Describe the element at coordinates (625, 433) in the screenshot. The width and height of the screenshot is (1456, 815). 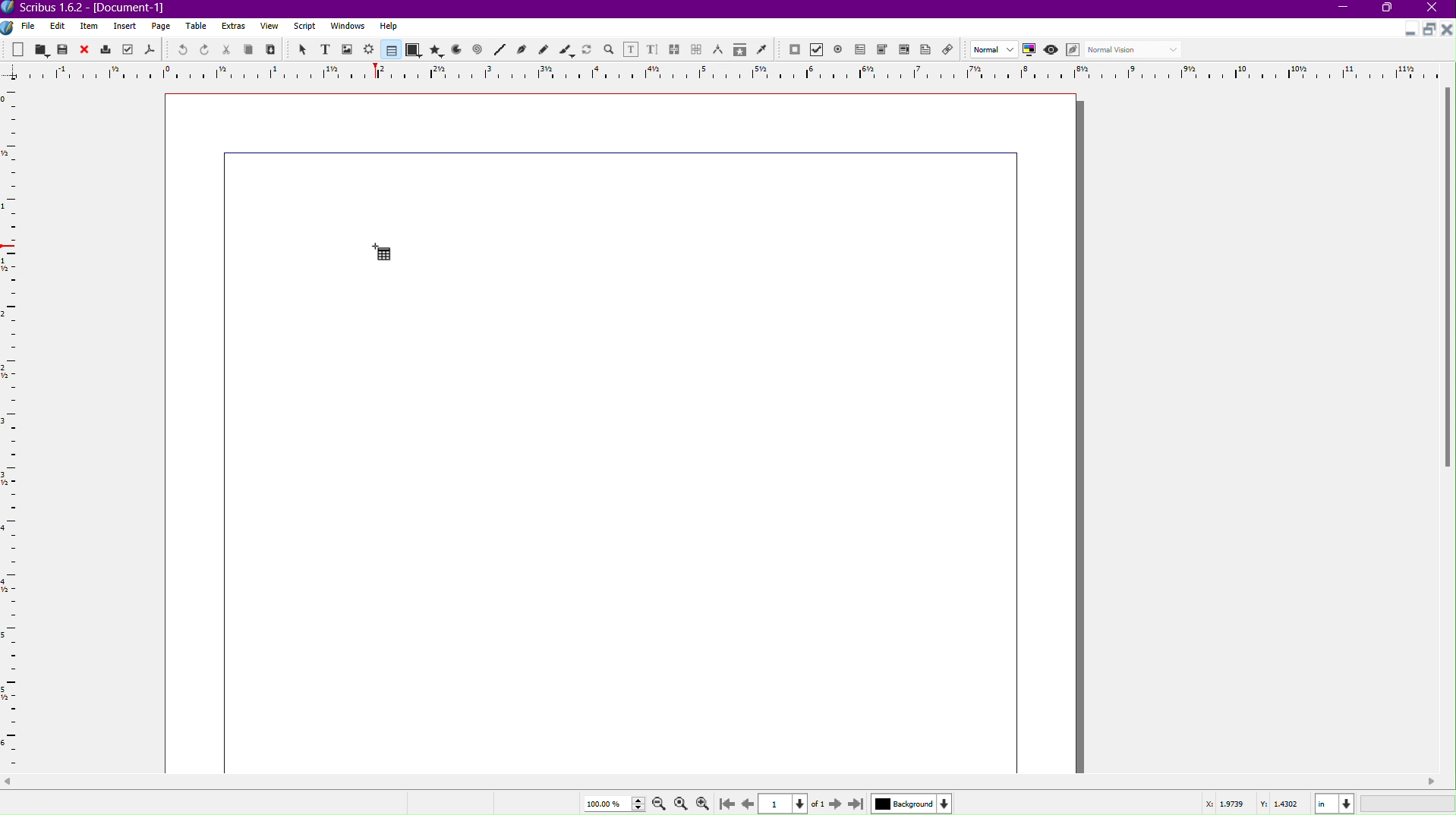
I see `Canvas` at that location.